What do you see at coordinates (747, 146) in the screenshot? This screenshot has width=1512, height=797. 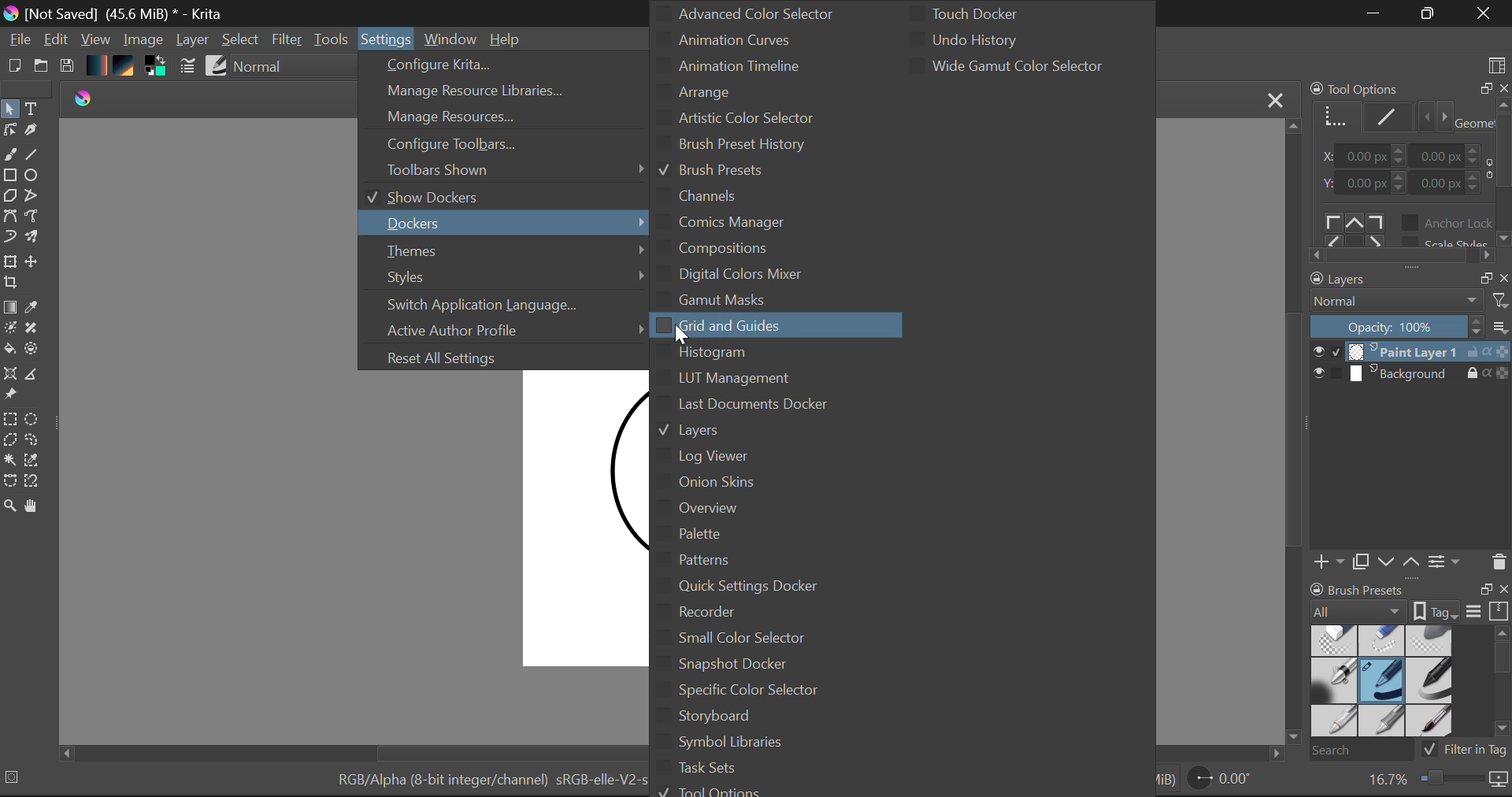 I see `Brush Preset History` at bounding box center [747, 146].